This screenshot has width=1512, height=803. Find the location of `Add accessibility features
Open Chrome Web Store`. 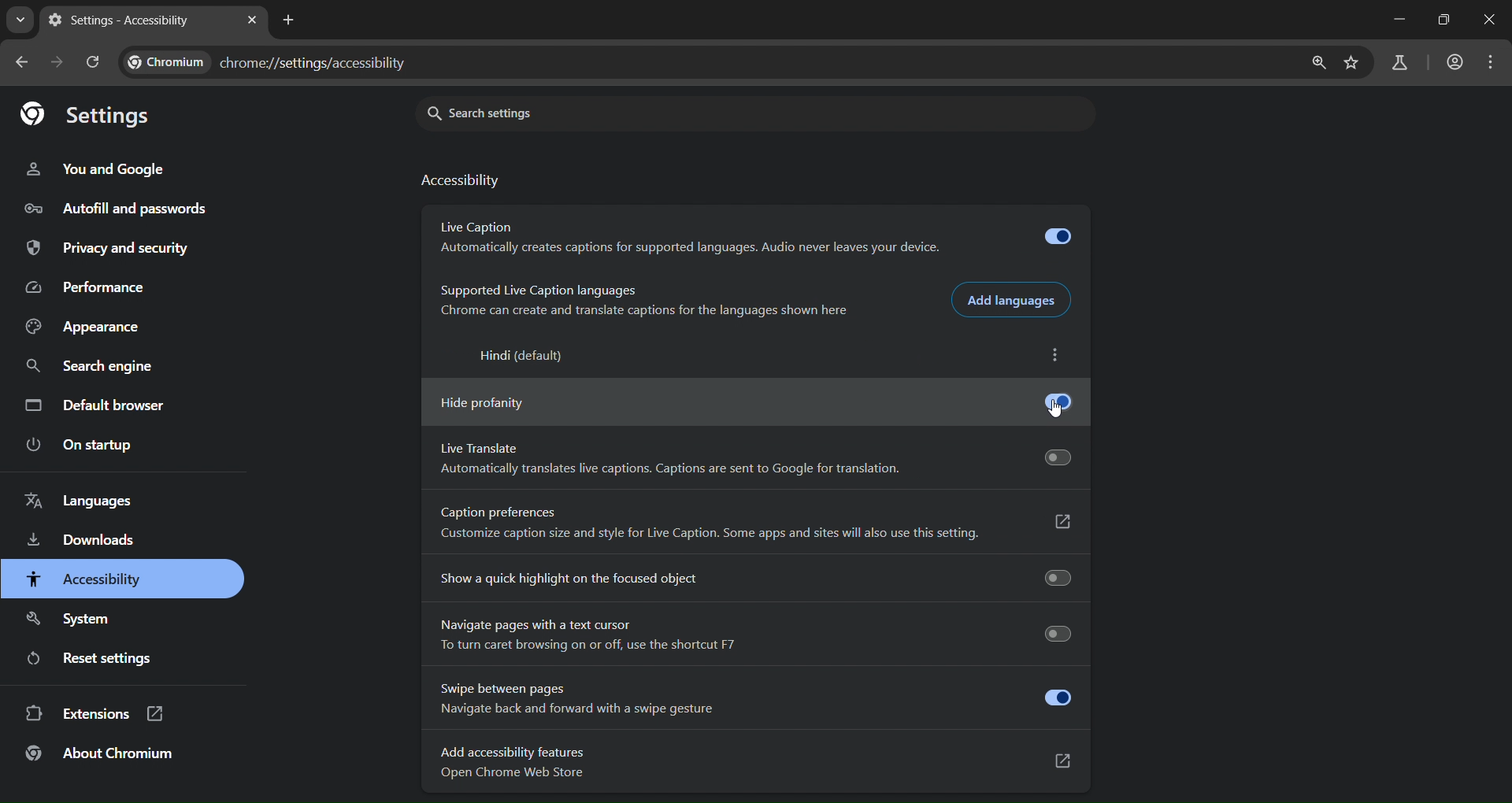

Add accessibility features
Open Chrome Web Store is located at coordinates (755, 764).